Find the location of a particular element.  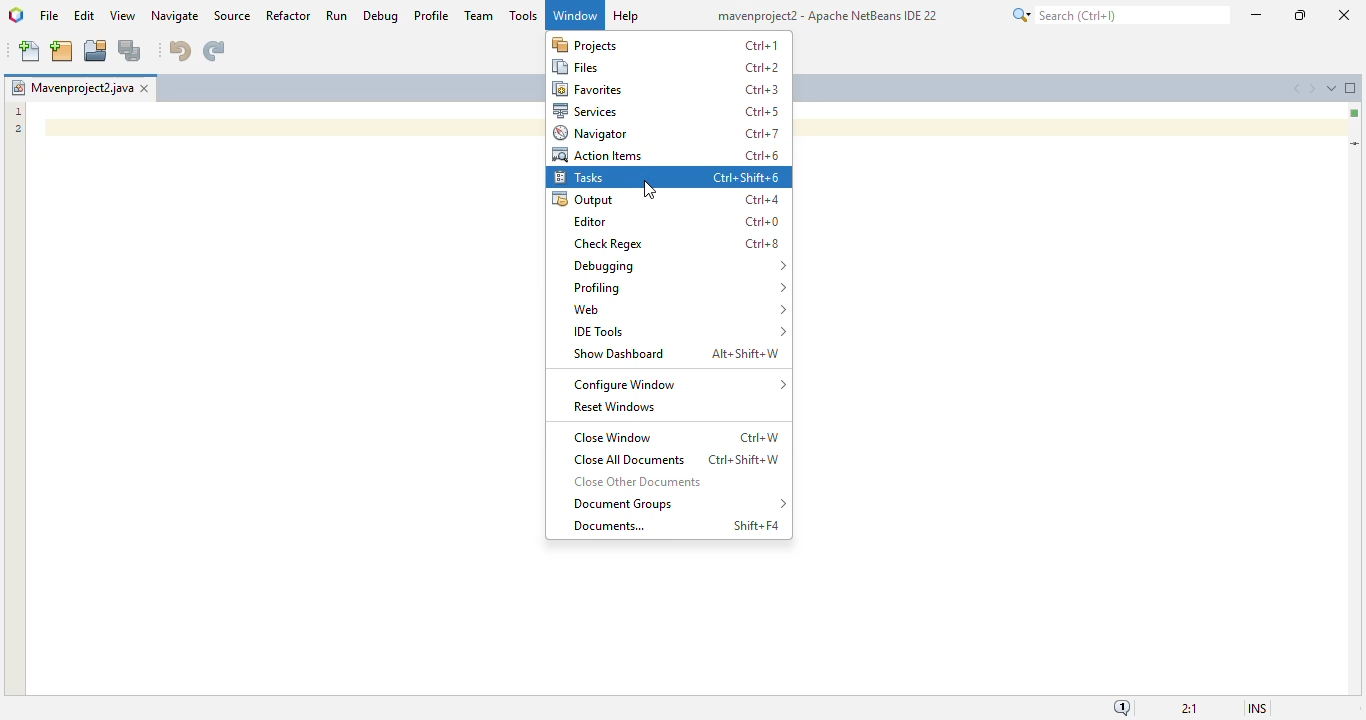

‘mavenproject? - Apache NetBeans IDE 22 is located at coordinates (822, 15).